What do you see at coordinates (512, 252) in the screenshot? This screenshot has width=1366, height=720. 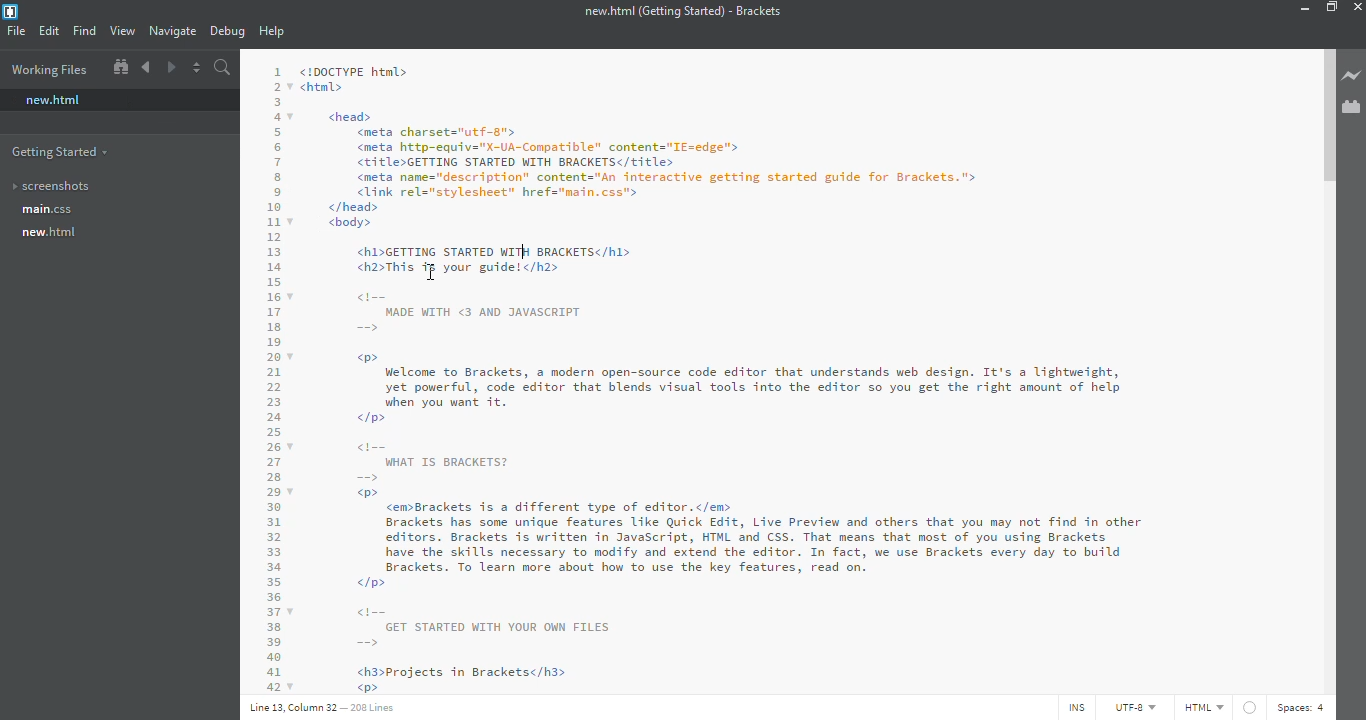 I see `word` at bounding box center [512, 252].